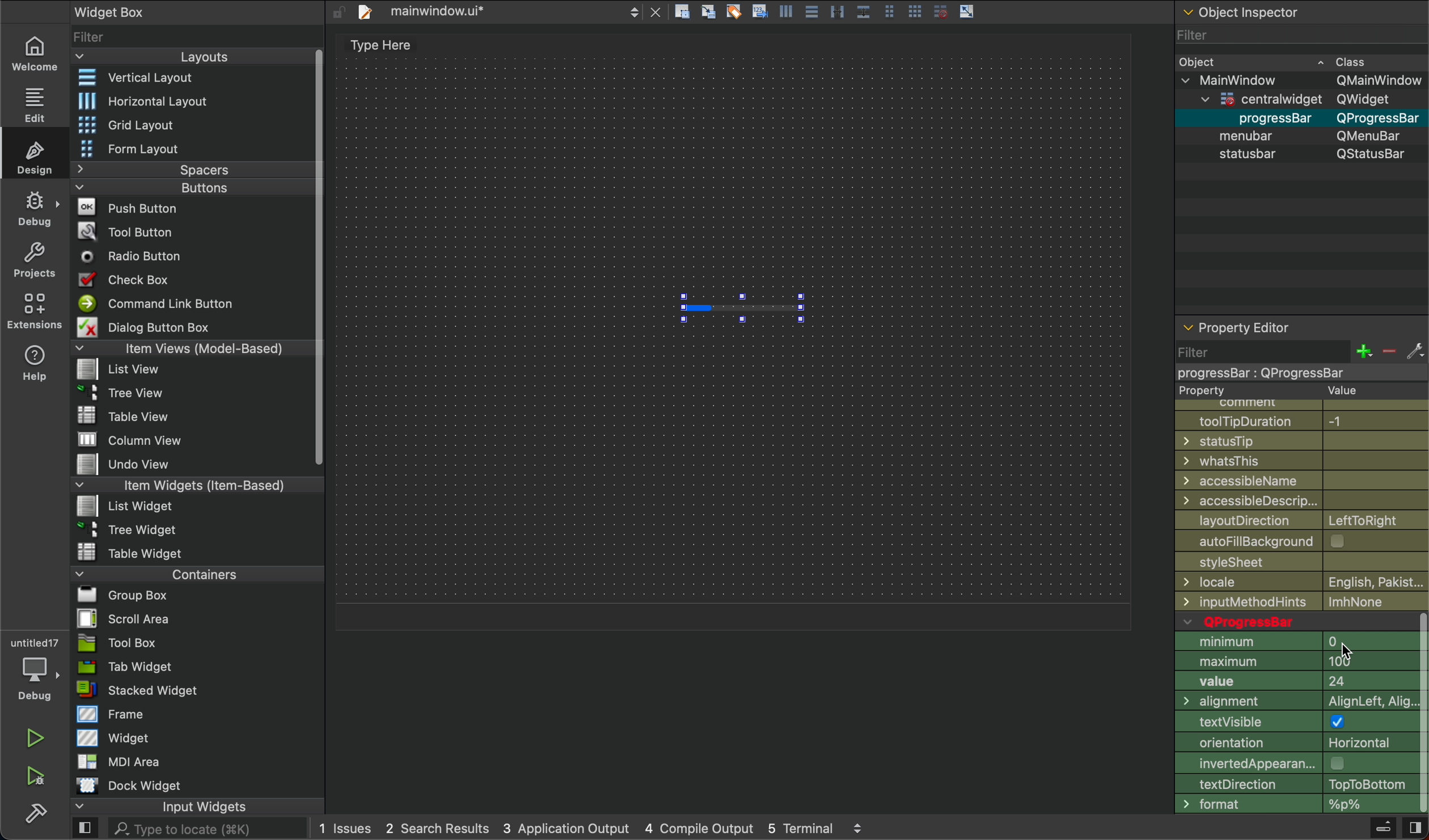  What do you see at coordinates (122, 667) in the screenshot?
I see `Tab Widget` at bounding box center [122, 667].